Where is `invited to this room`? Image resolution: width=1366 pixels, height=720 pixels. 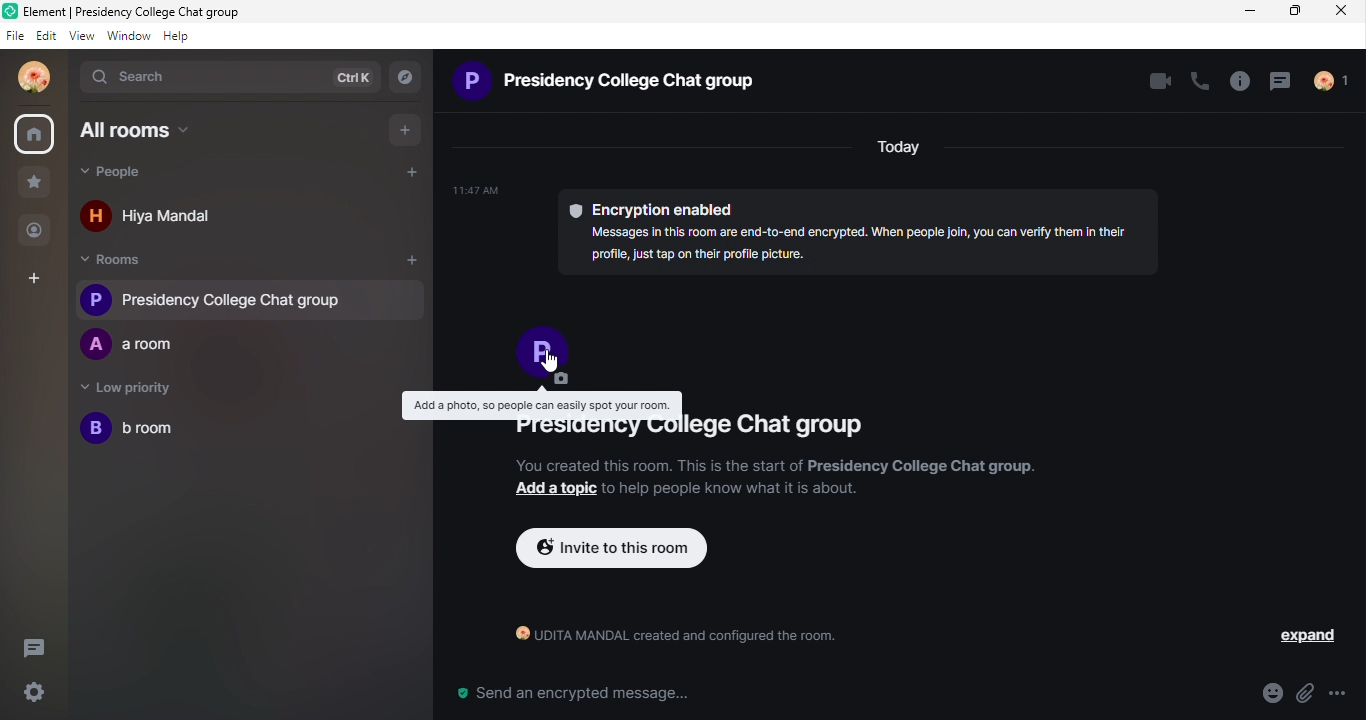 invited to this room is located at coordinates (612, 550).